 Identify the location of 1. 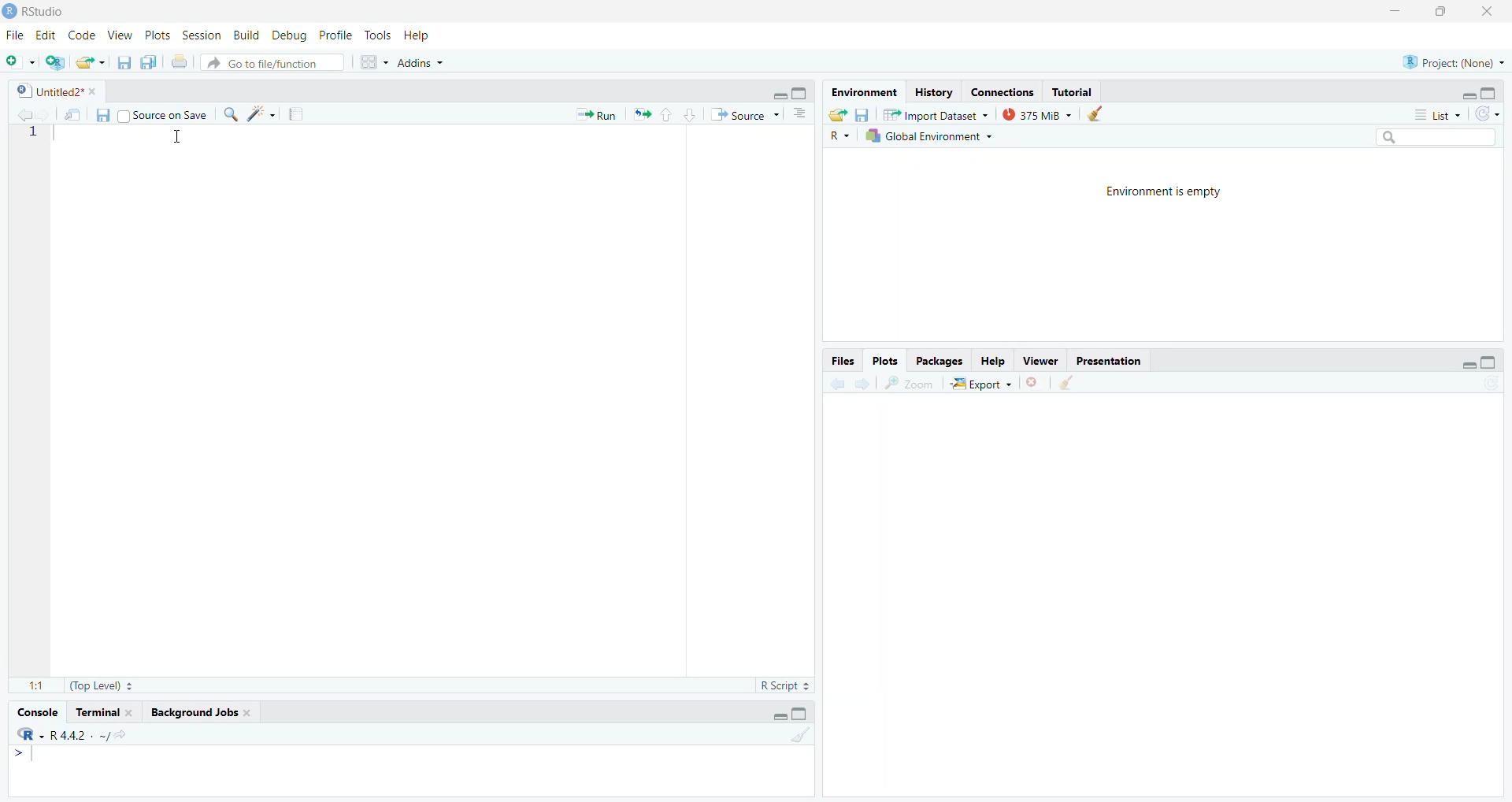
(34, 133).